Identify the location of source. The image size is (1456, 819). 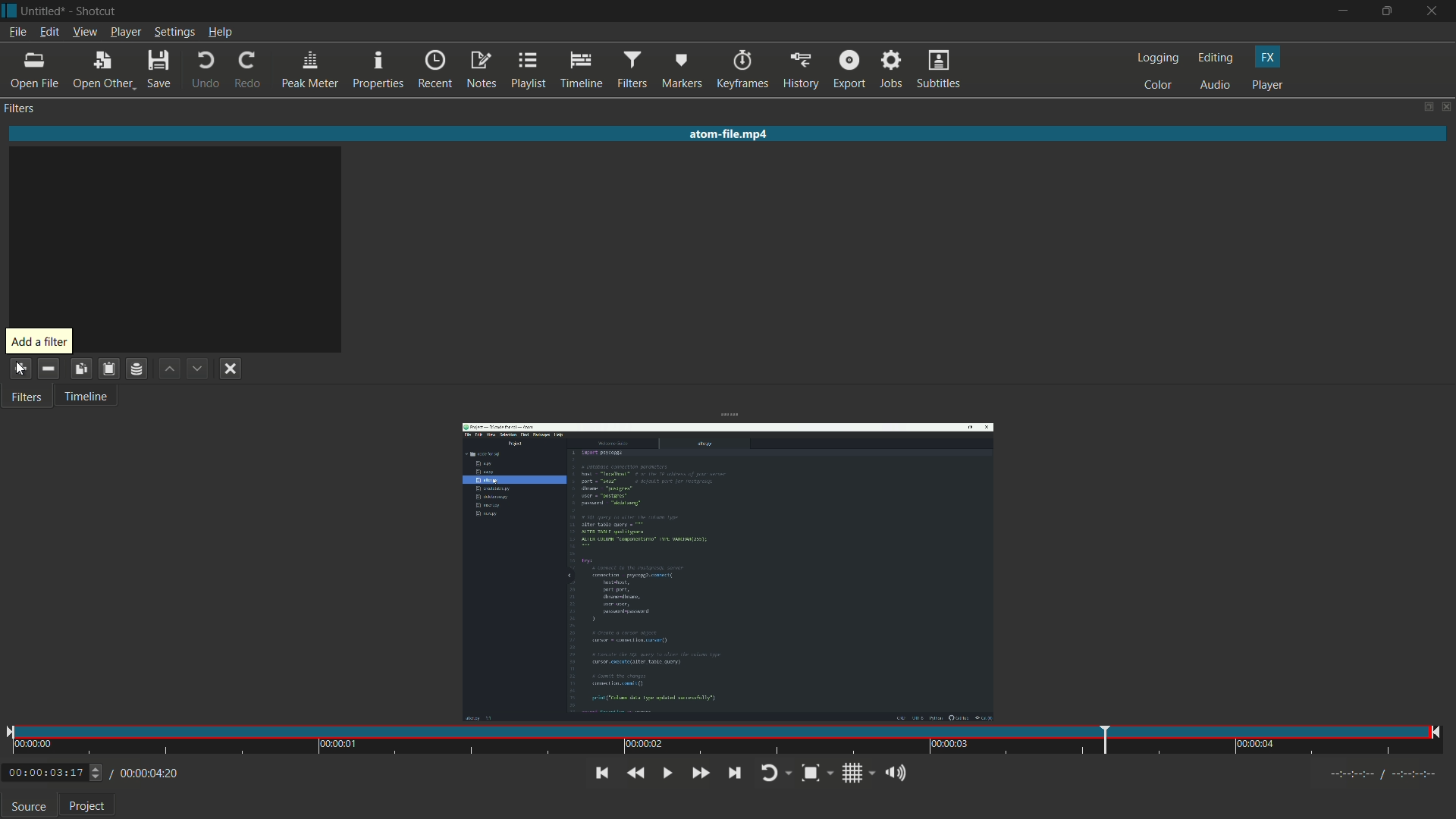
(29, 807).